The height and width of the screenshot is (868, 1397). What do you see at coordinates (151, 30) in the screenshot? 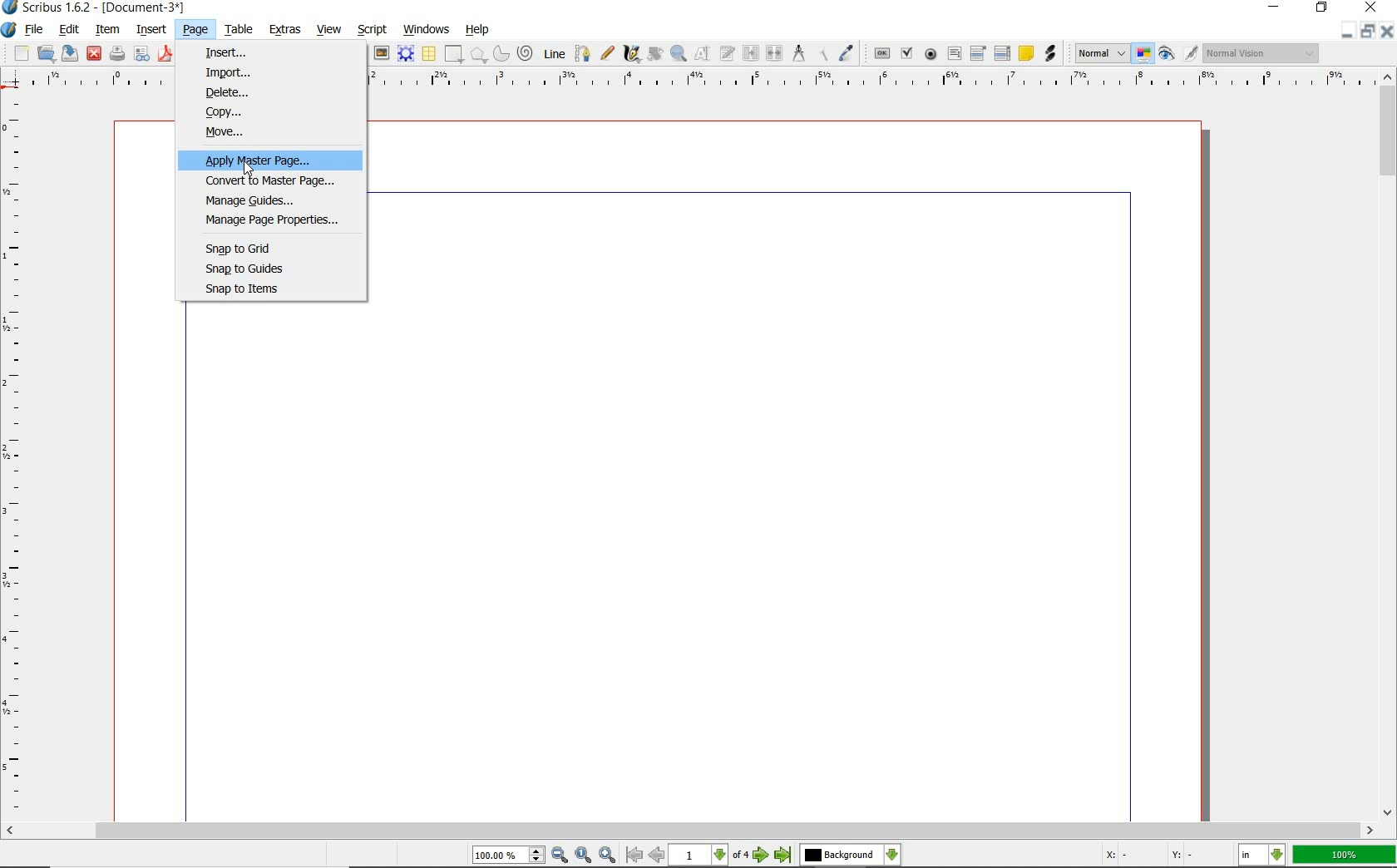
I see `insert` at bounding box center [151, 30].